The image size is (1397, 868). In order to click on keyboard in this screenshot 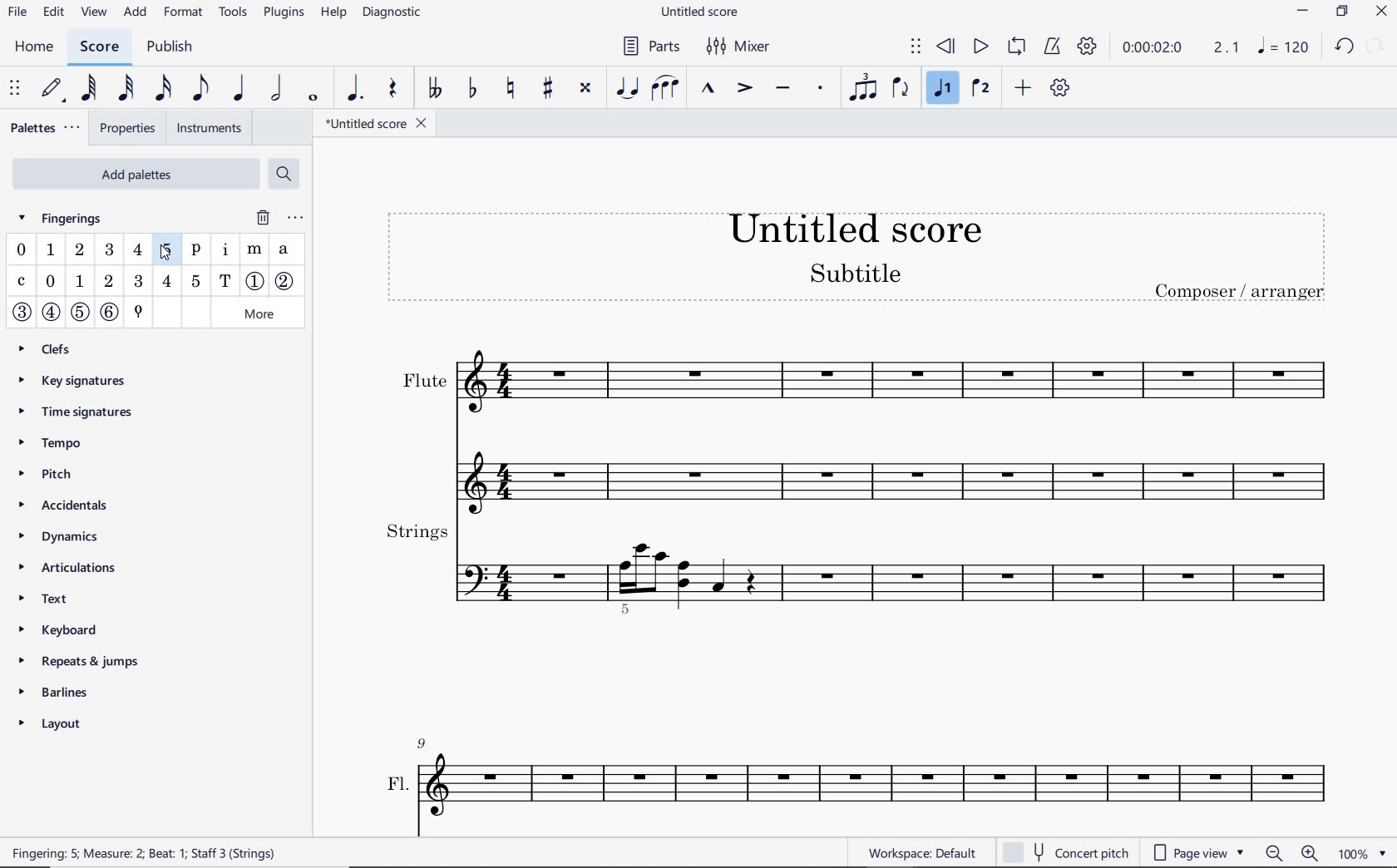, I will do `click(72, 629)`.